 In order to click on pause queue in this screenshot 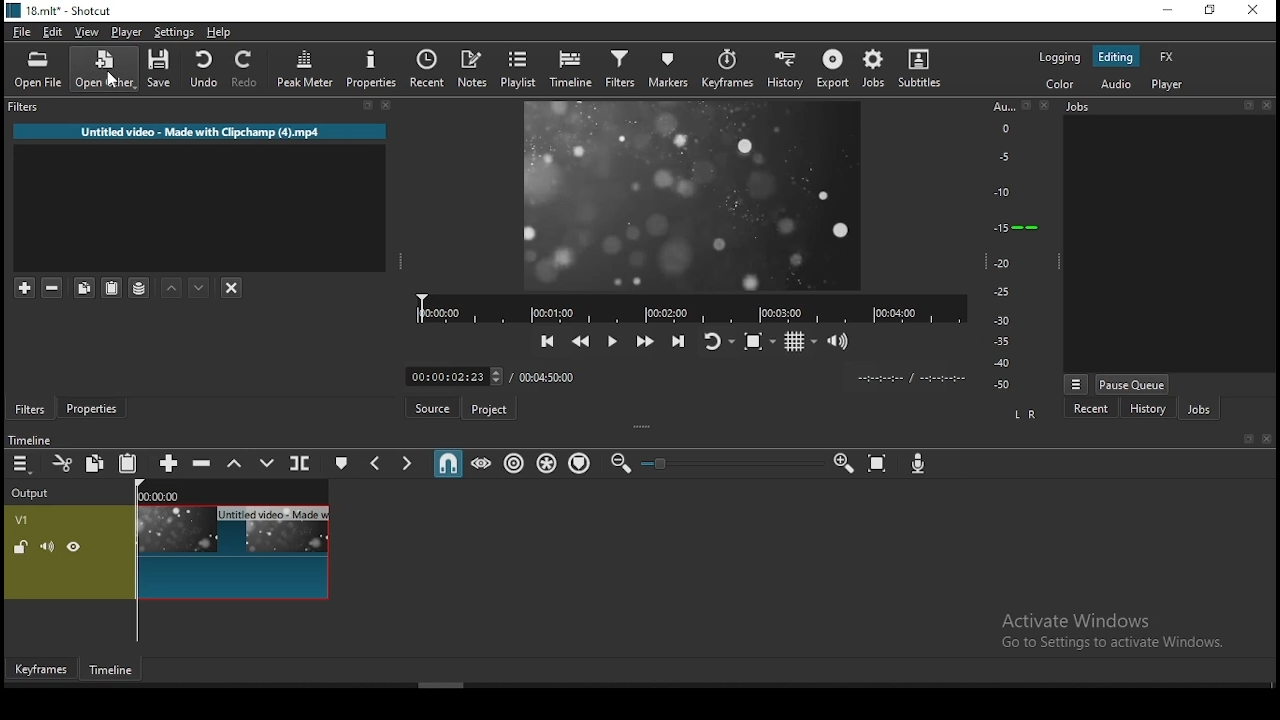, I will do `click(1133, 383)`.